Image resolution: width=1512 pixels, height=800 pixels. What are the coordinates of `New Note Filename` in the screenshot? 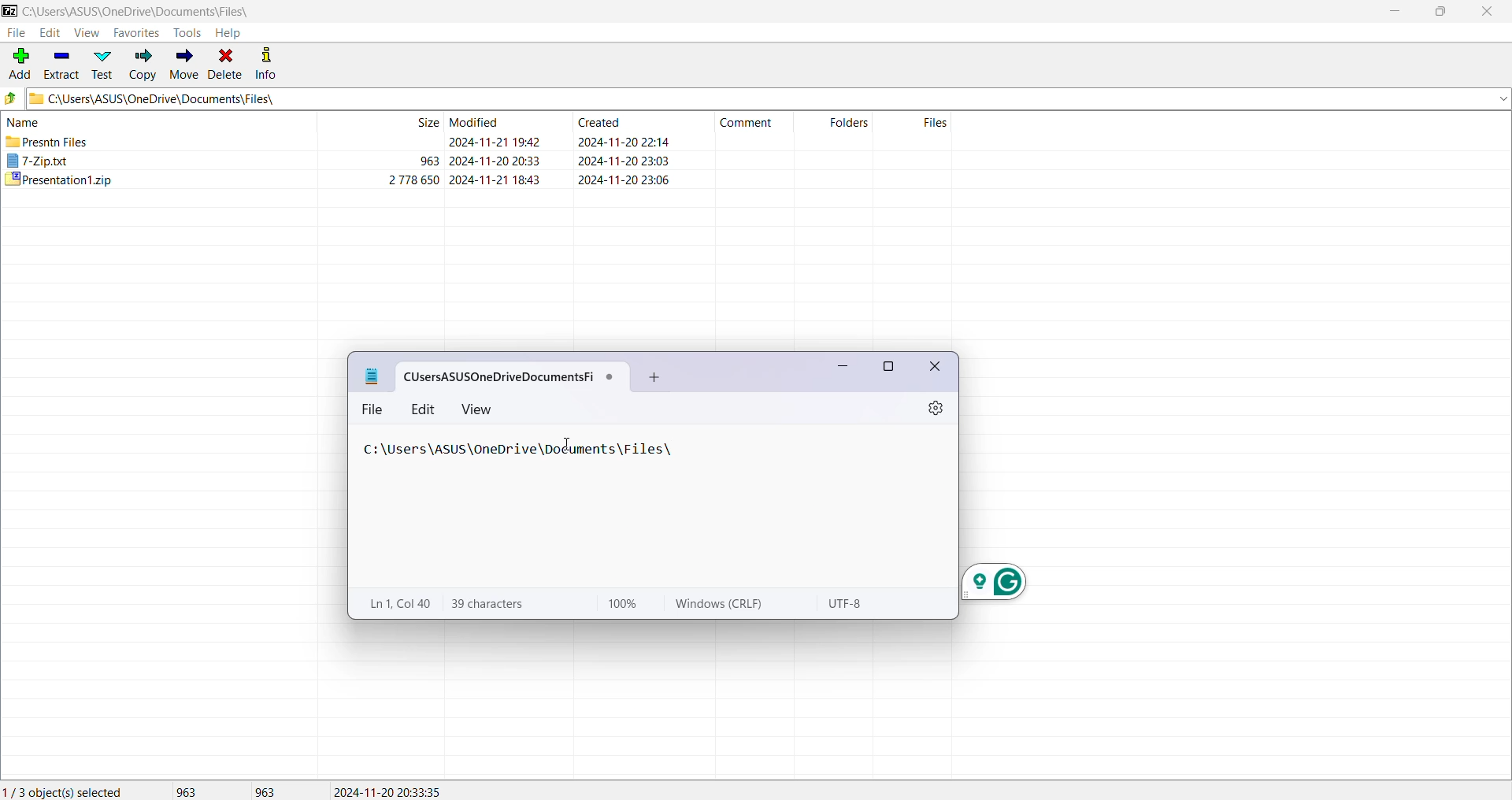 It's located at (499, 378).